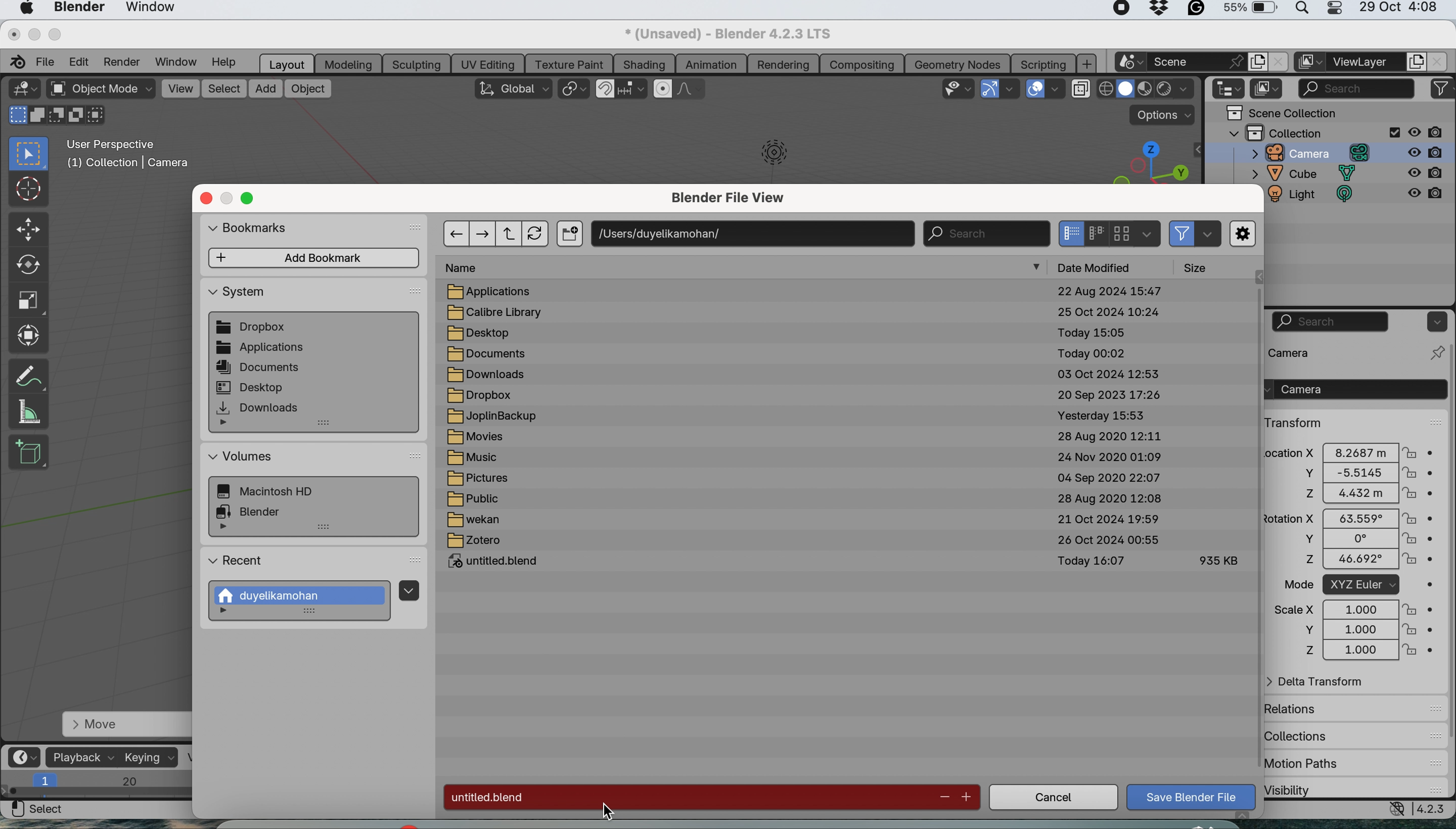  Describe the element at coordinates (1249, 10) in the screenshot. I see `battery` at that location.